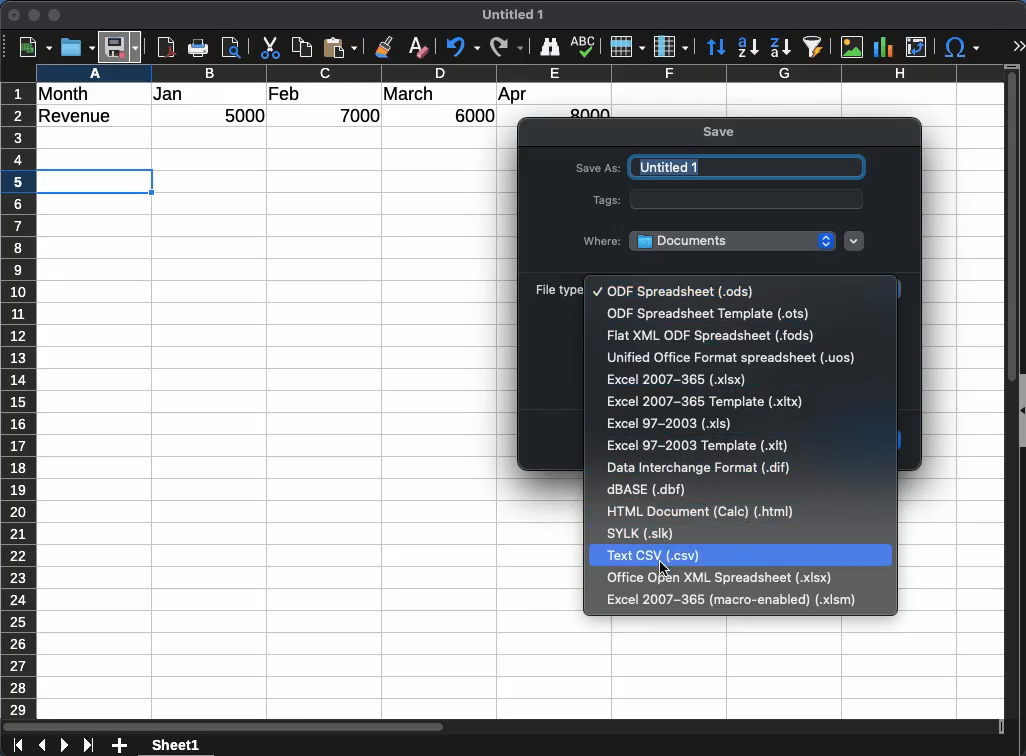  What do you see at coordinates (748, 199) in the screenshot?
I see `text box` at bounding box center [748, 199].